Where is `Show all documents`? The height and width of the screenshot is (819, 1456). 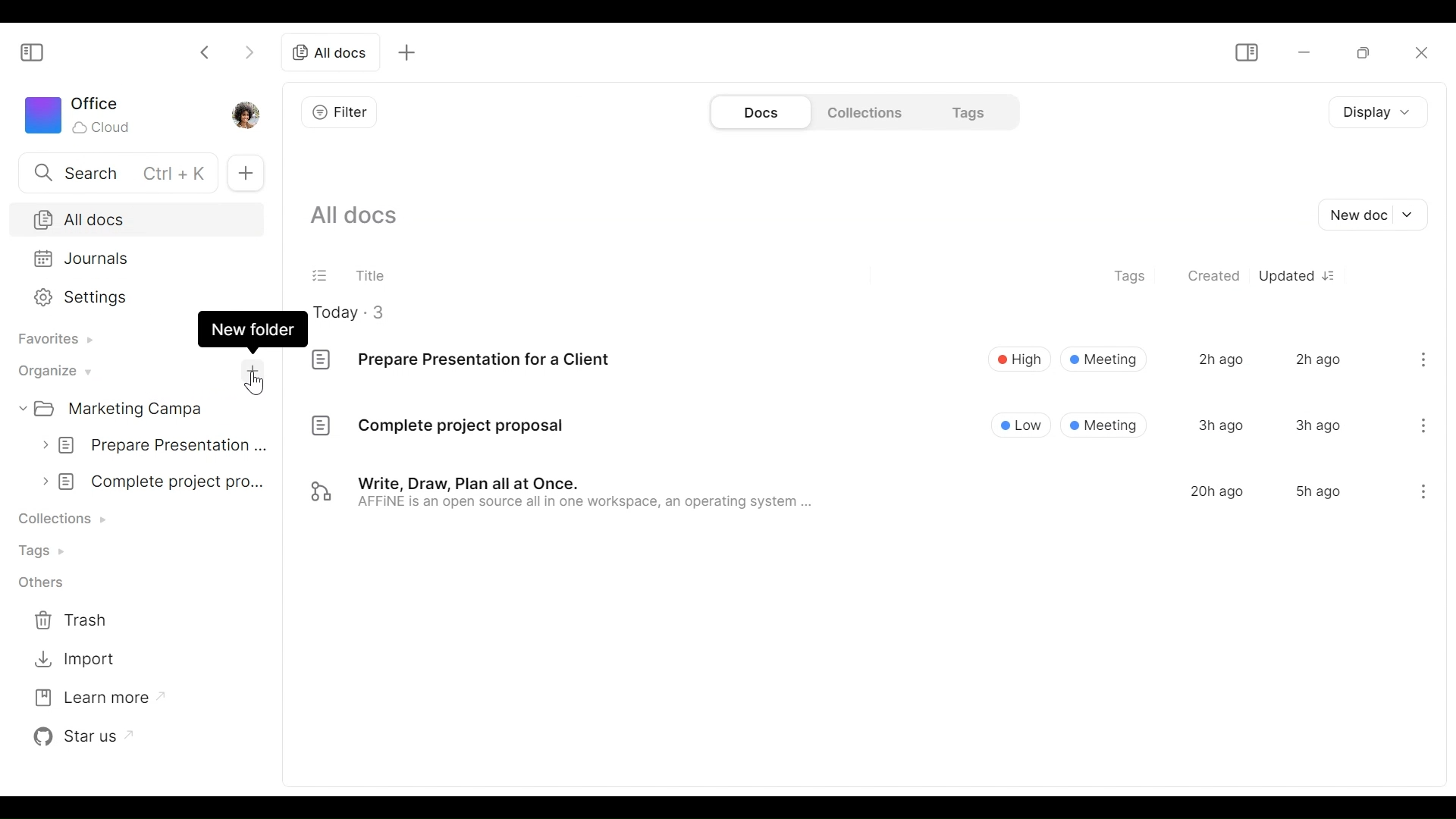
Show all documents is located at coordinates (361, 217).